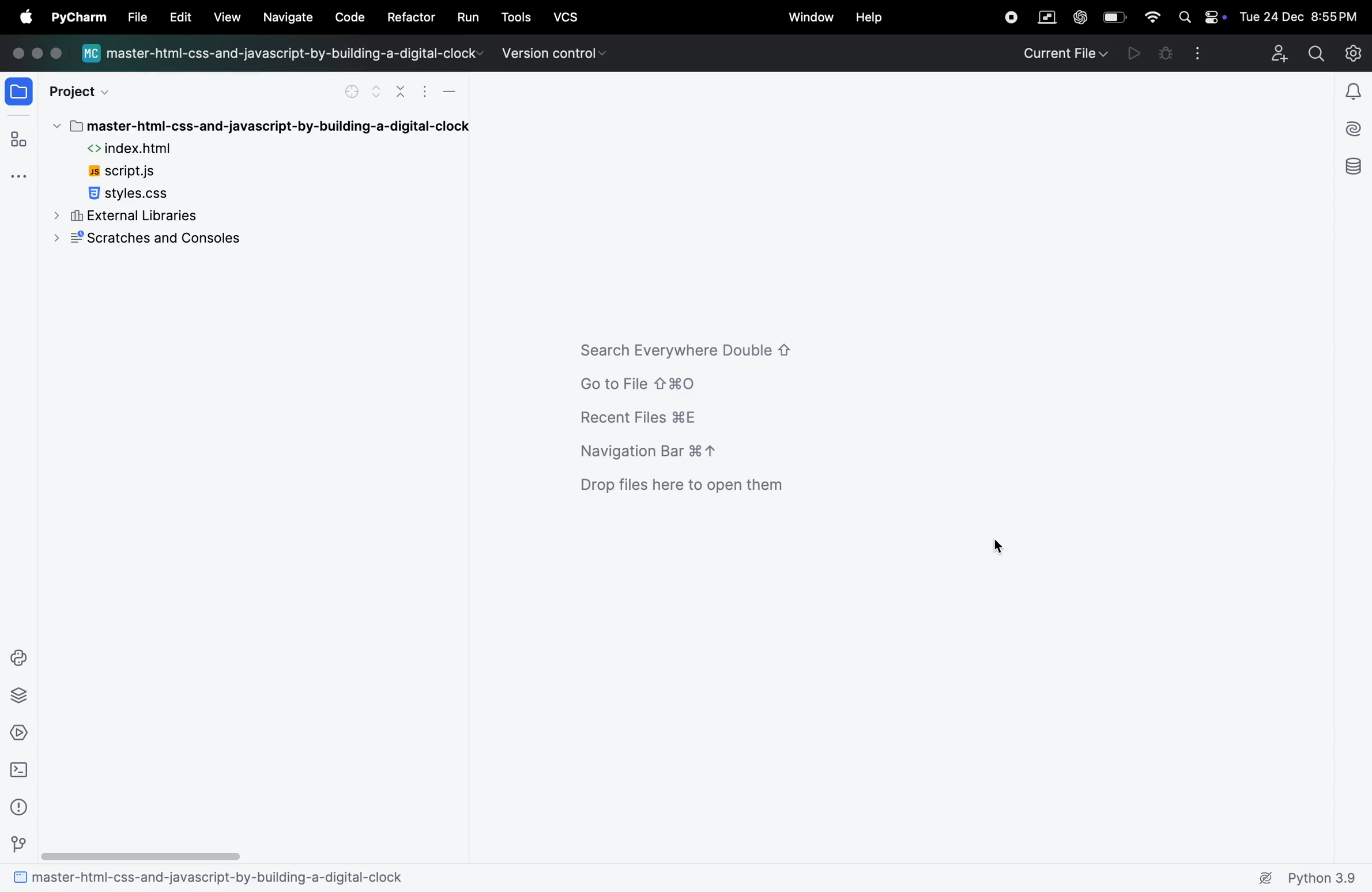 This screenshot has height=892, width=1372. What do you see at coordinates (21, 773) in the screenshot?
I see `terminal` at bounding box center [21, 773].